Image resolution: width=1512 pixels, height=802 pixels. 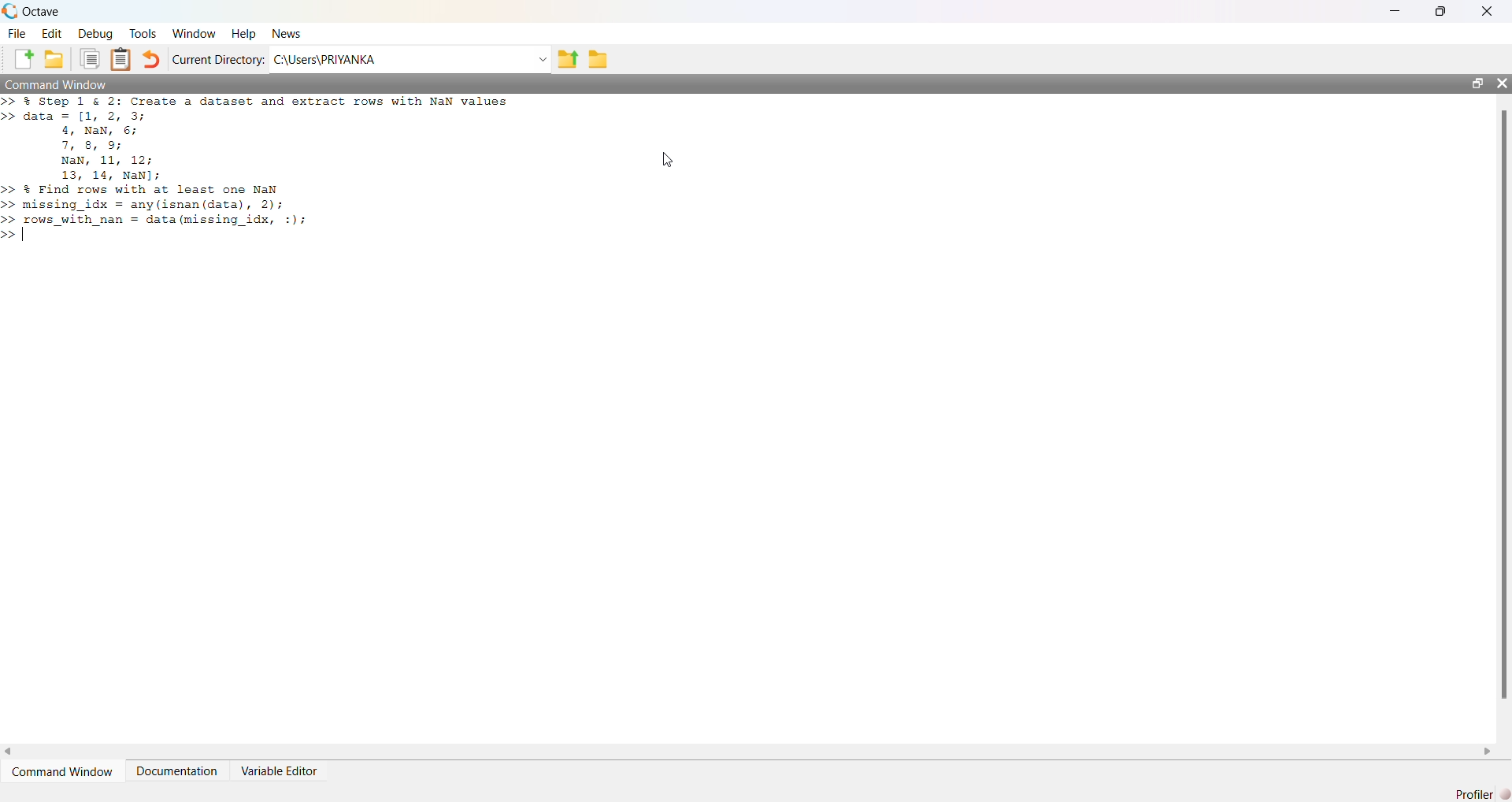 I want to click on Octave, so click(x=41, y=11).